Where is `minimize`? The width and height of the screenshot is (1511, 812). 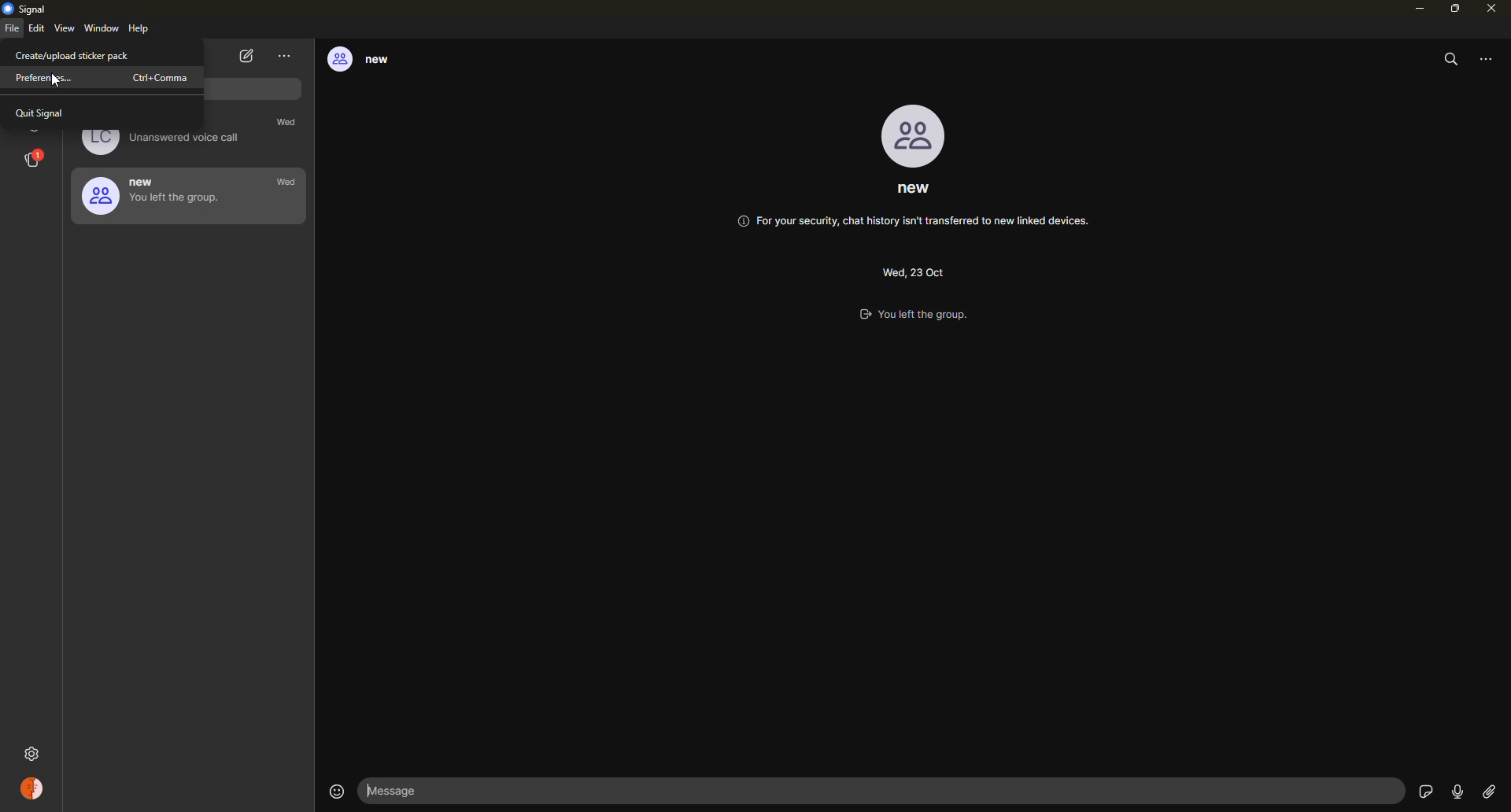 minimize is located at coordinates (1415, 9).